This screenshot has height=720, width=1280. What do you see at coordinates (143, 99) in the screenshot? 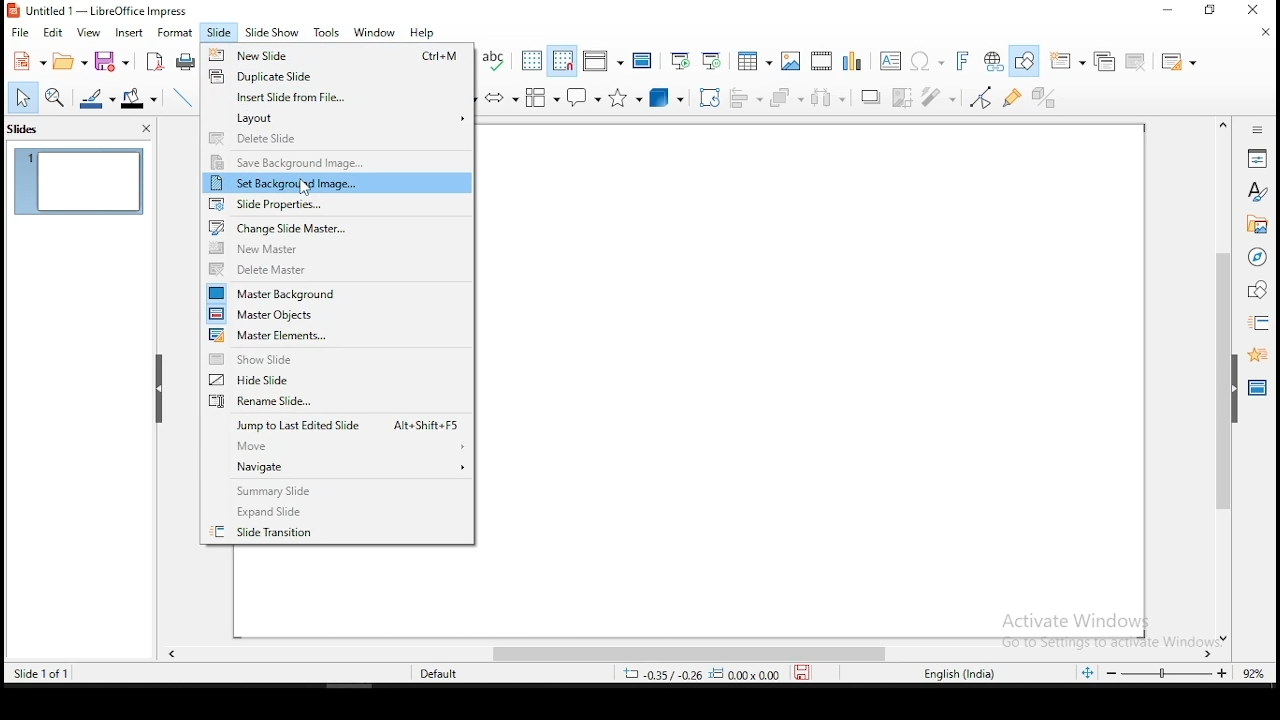
I see `fill color` at bounding box center [143, 99].